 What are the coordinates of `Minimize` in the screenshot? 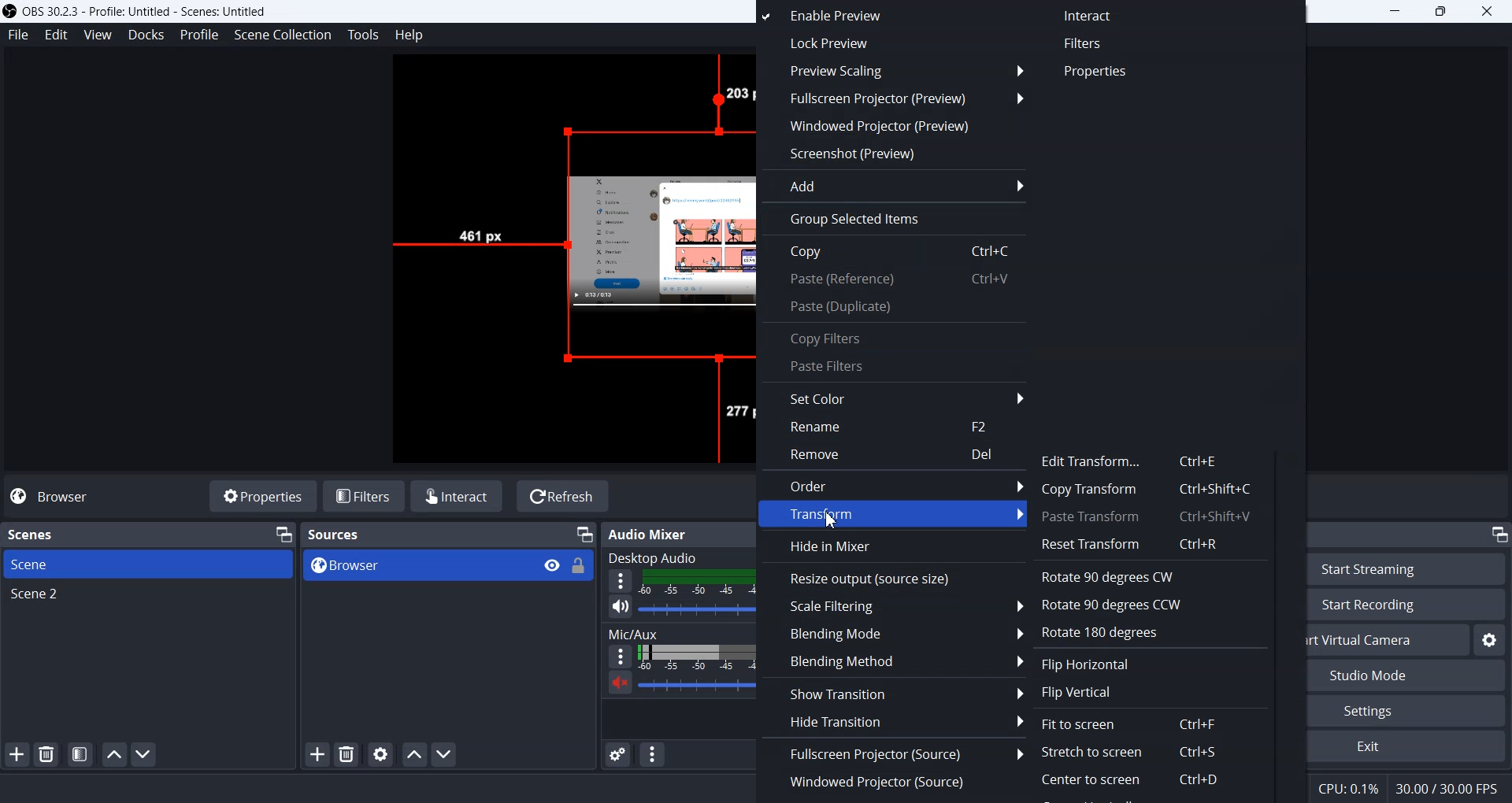 It's located at (1399, 13).